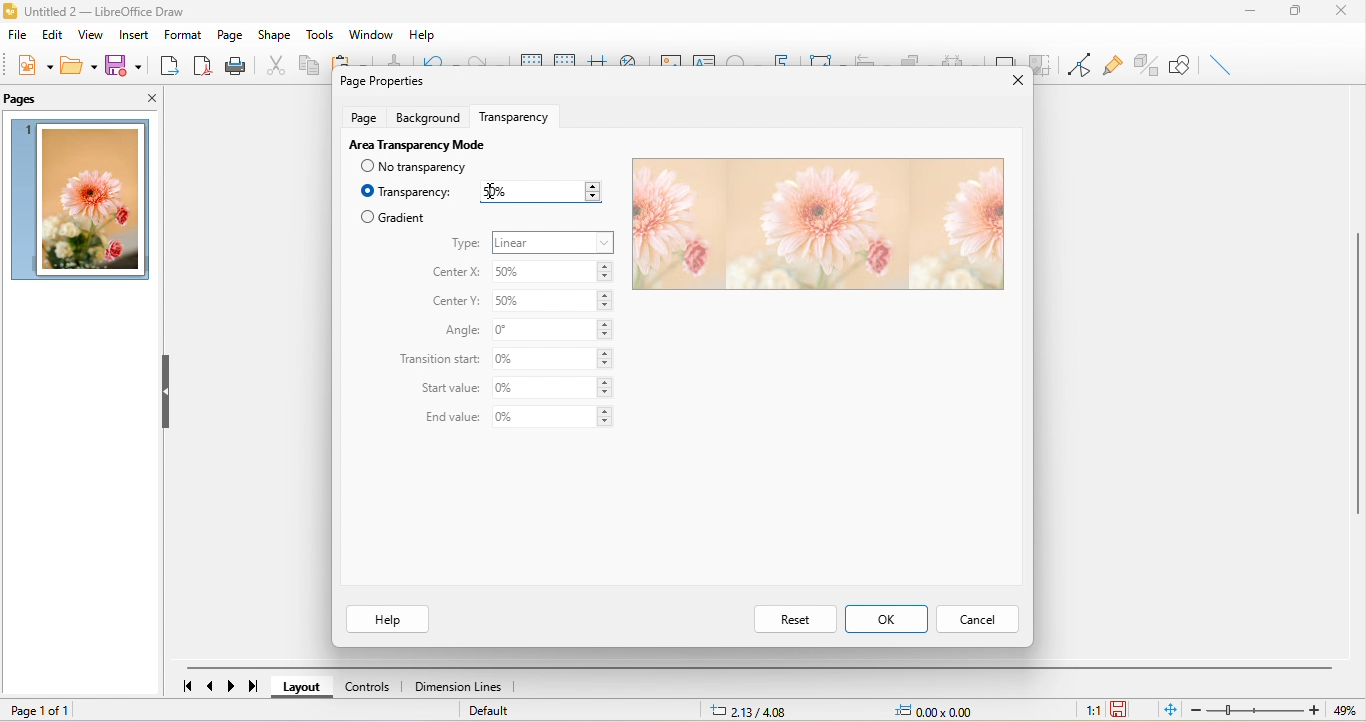 The height and width of the screenshot is (722, 1366). I want to click on page, so click(363, 116).